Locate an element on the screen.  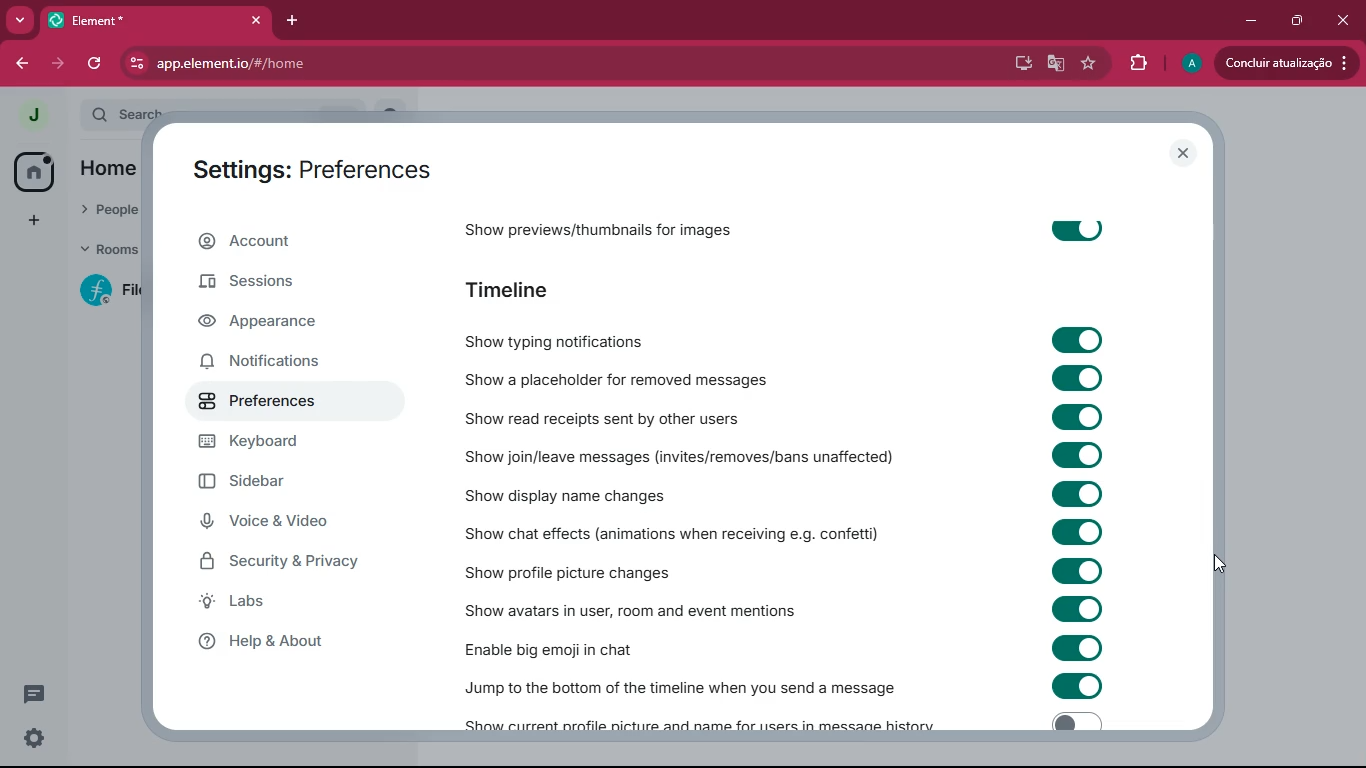
desktop is located at coordinates (1021, 64).